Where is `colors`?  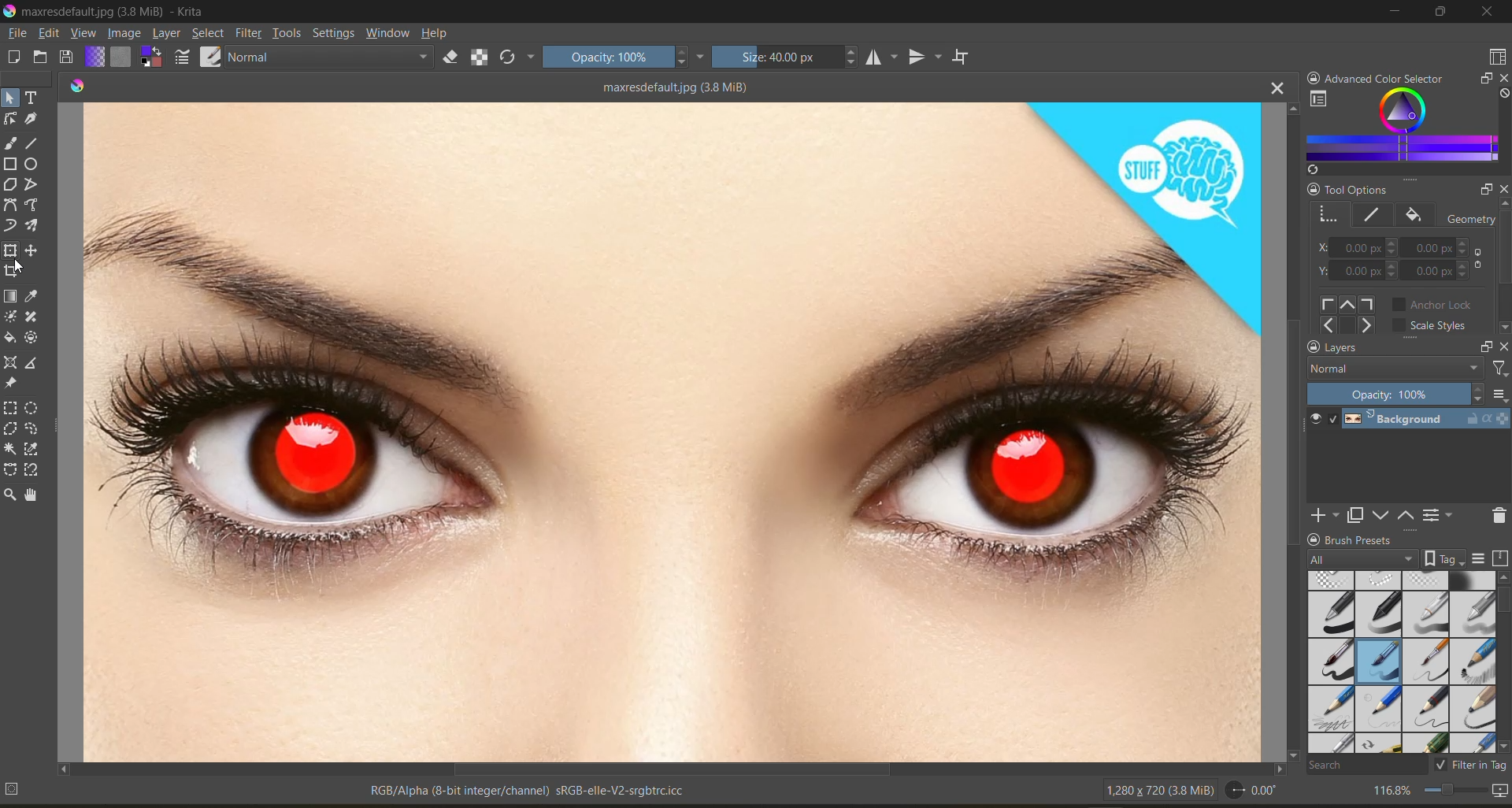 colors is located at coordinates (78, 83).